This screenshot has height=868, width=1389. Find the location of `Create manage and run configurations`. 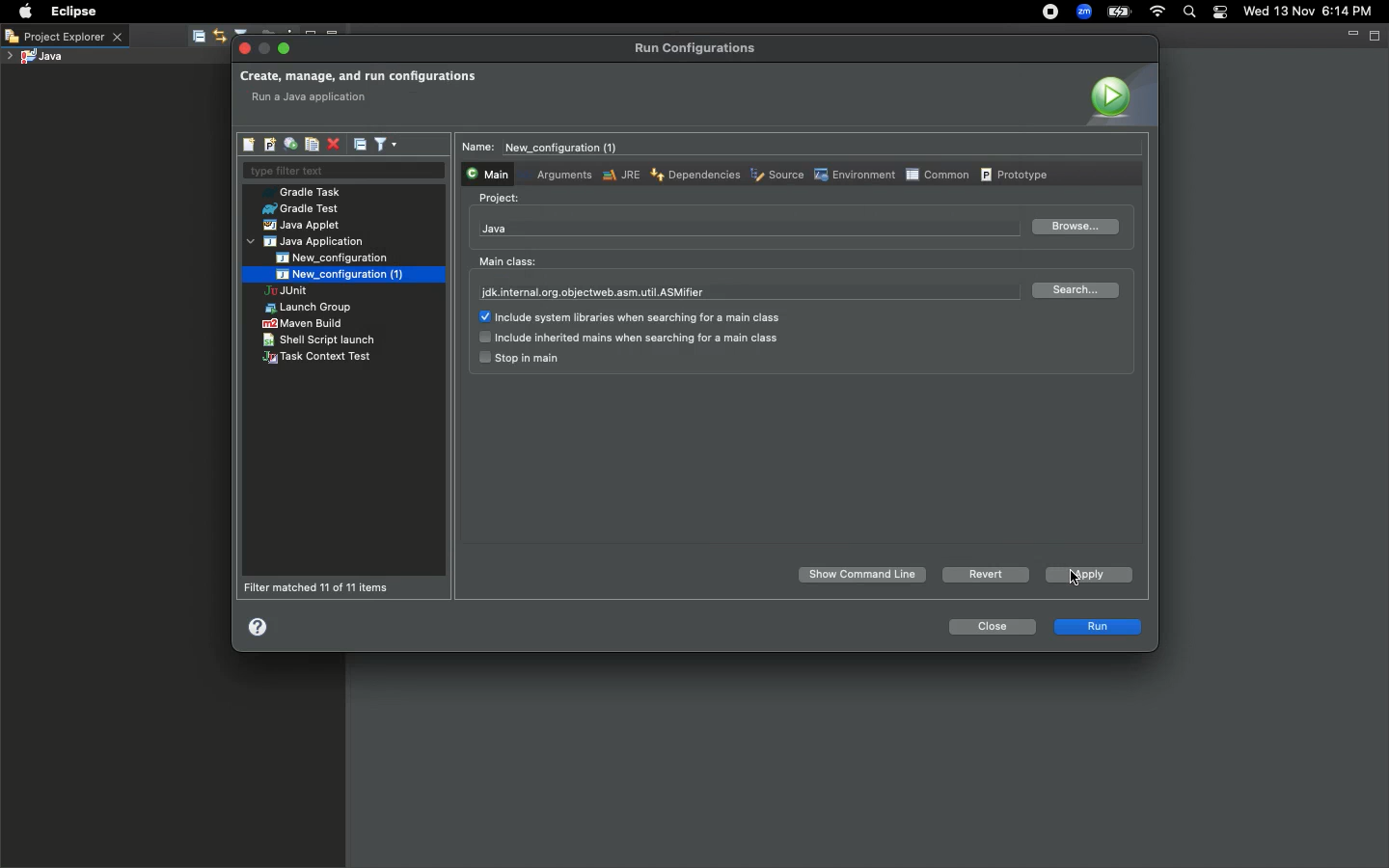

Create manage and run configurations is located at coordinates (358, 77).